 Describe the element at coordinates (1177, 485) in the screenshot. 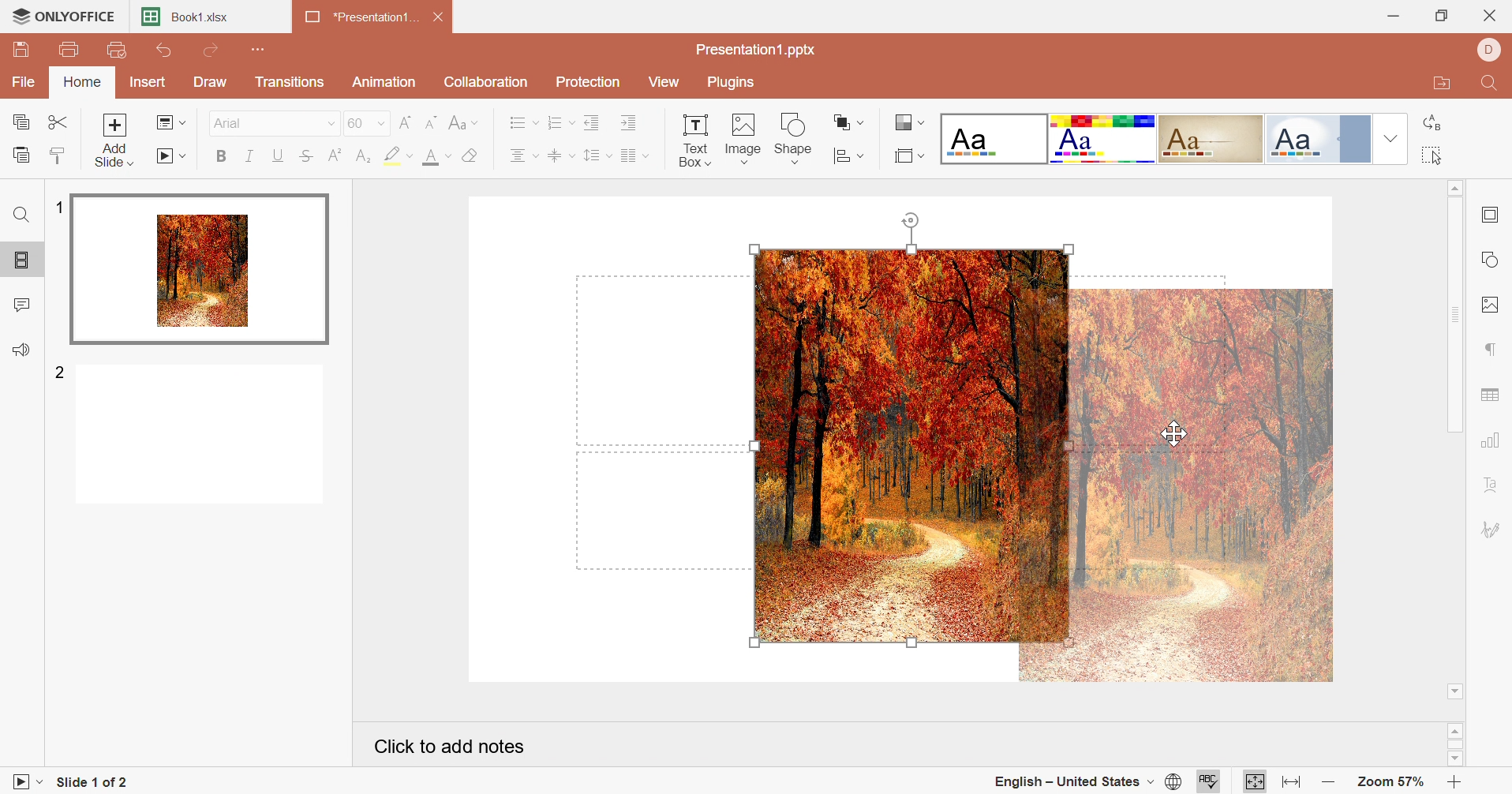

I see `image` at that location.